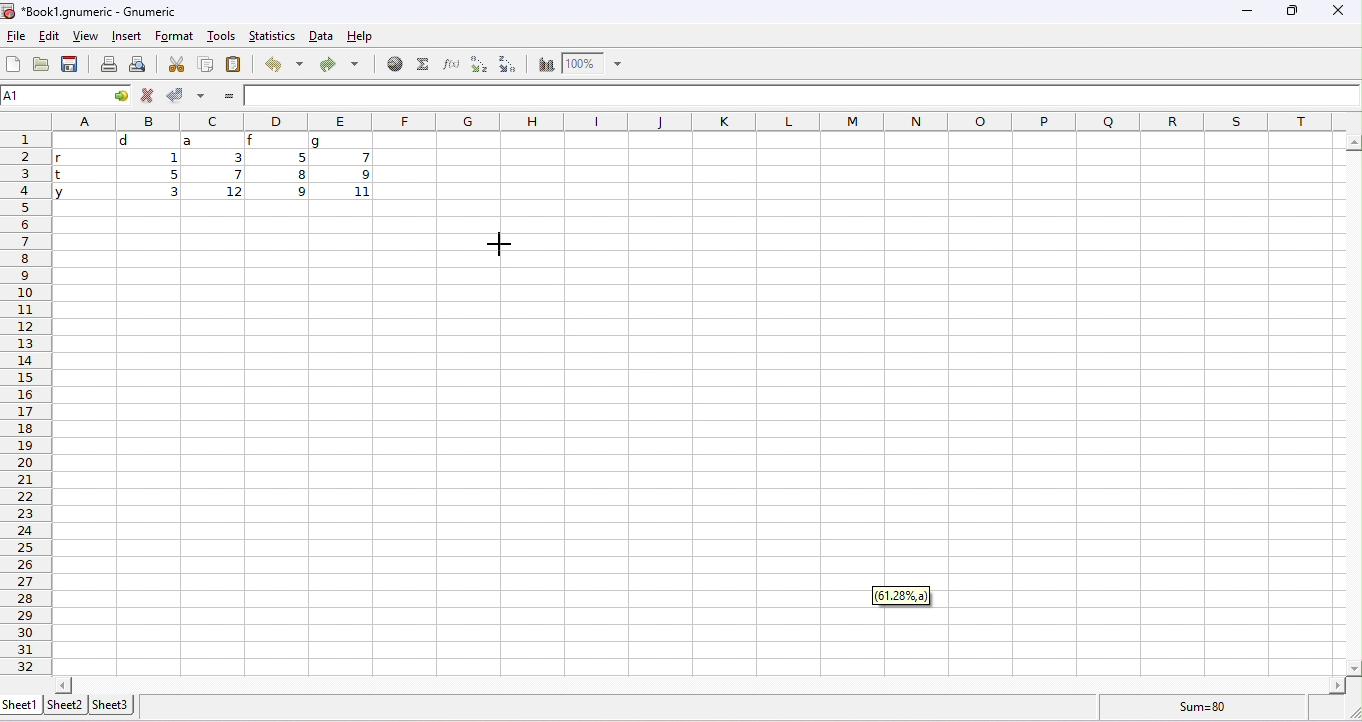 This screenshot has height=722, width=1362. What do you see at coordinates (203, 64) in the screenshot?
I see `copy` at bounding box center [203, 64].